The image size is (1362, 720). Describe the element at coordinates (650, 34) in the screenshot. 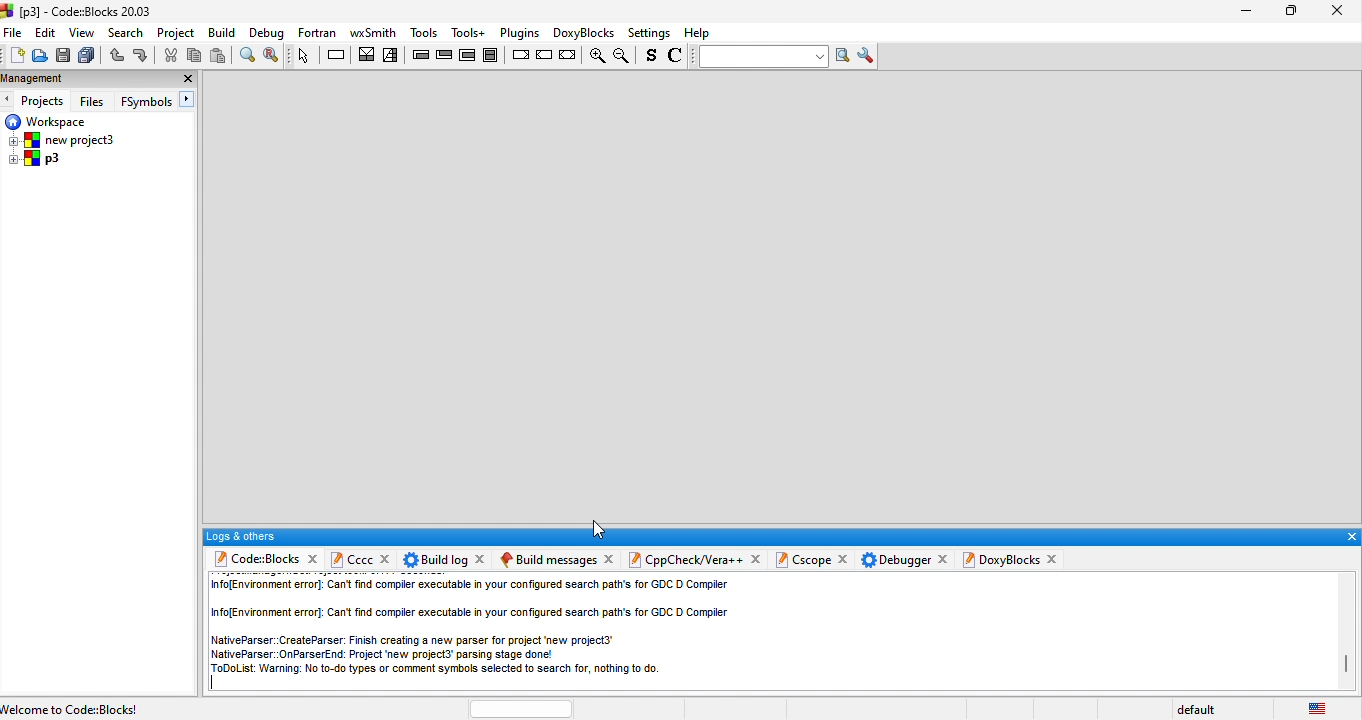

I see `settings` at that location.